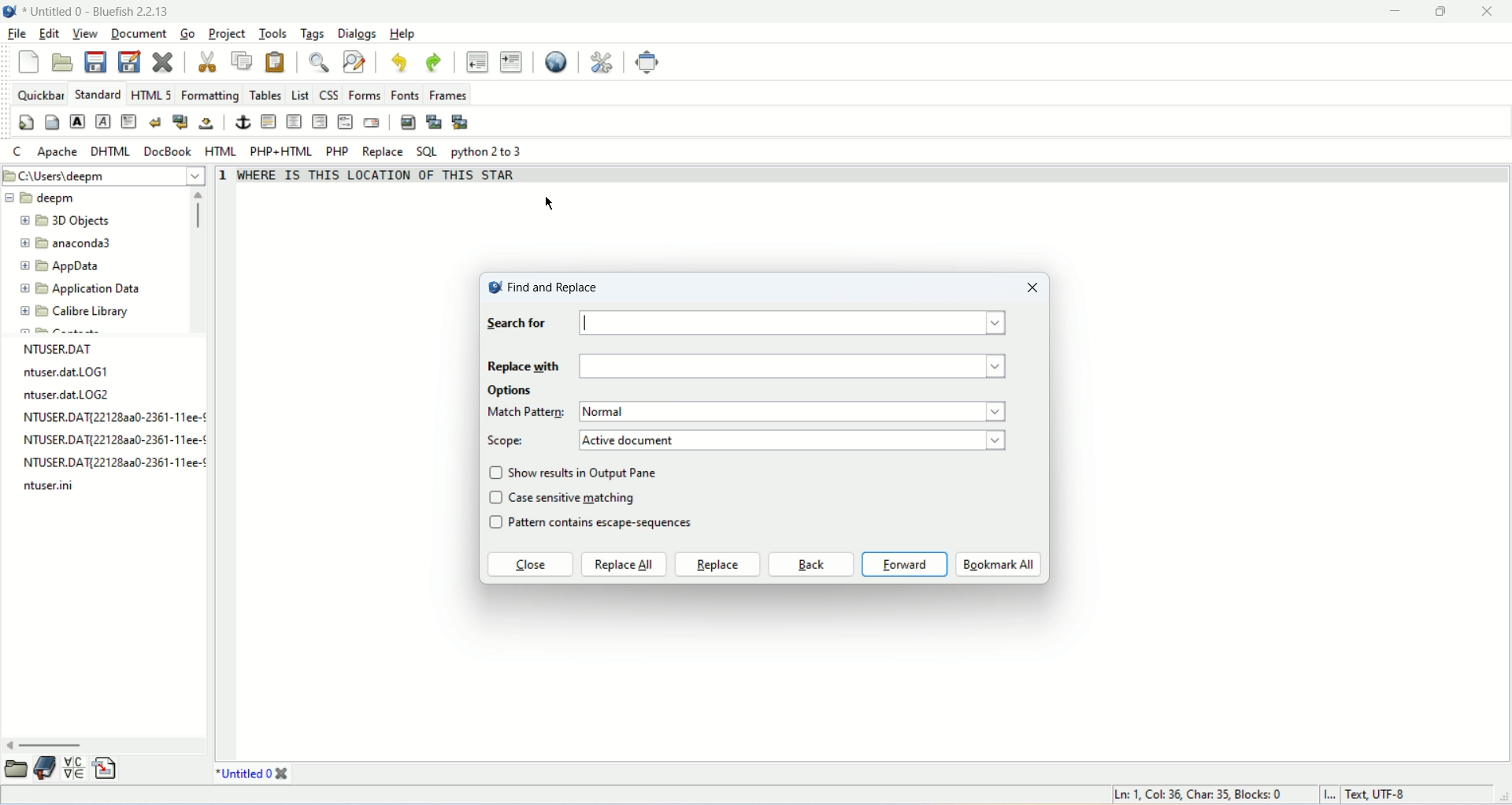  What do you see at coordinates (103, 769) in the screenshot?
I see `snippet` at bounding box center [103, 769].